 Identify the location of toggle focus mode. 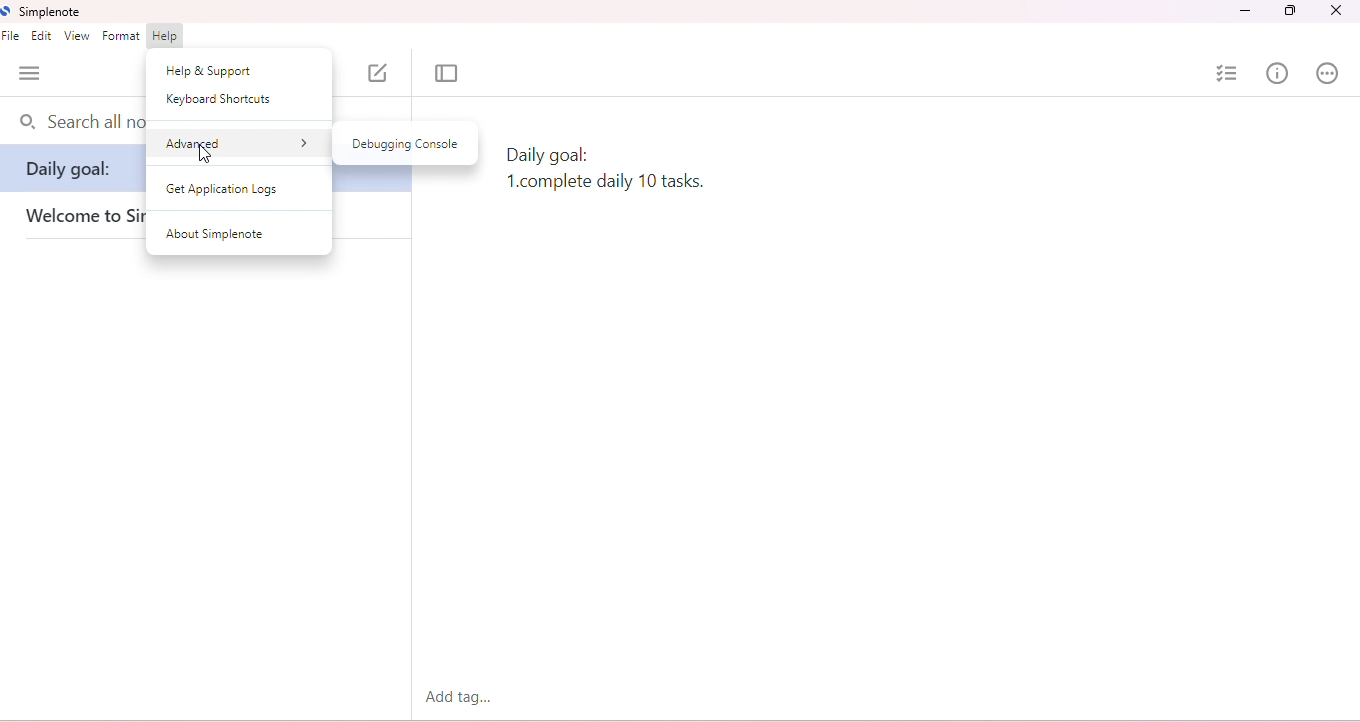
(450, 74).